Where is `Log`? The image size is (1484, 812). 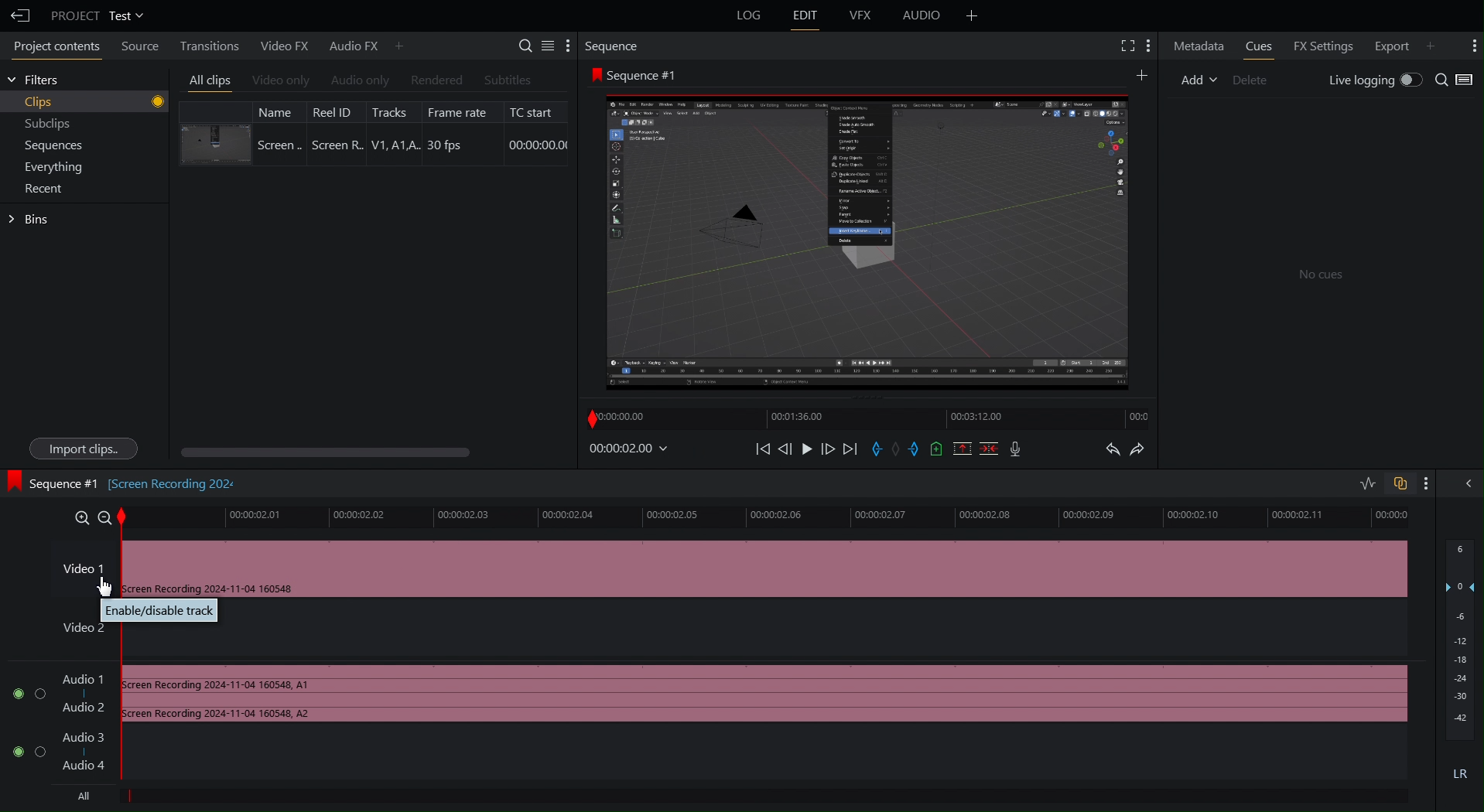
Log is located at coordinates (746, 17).